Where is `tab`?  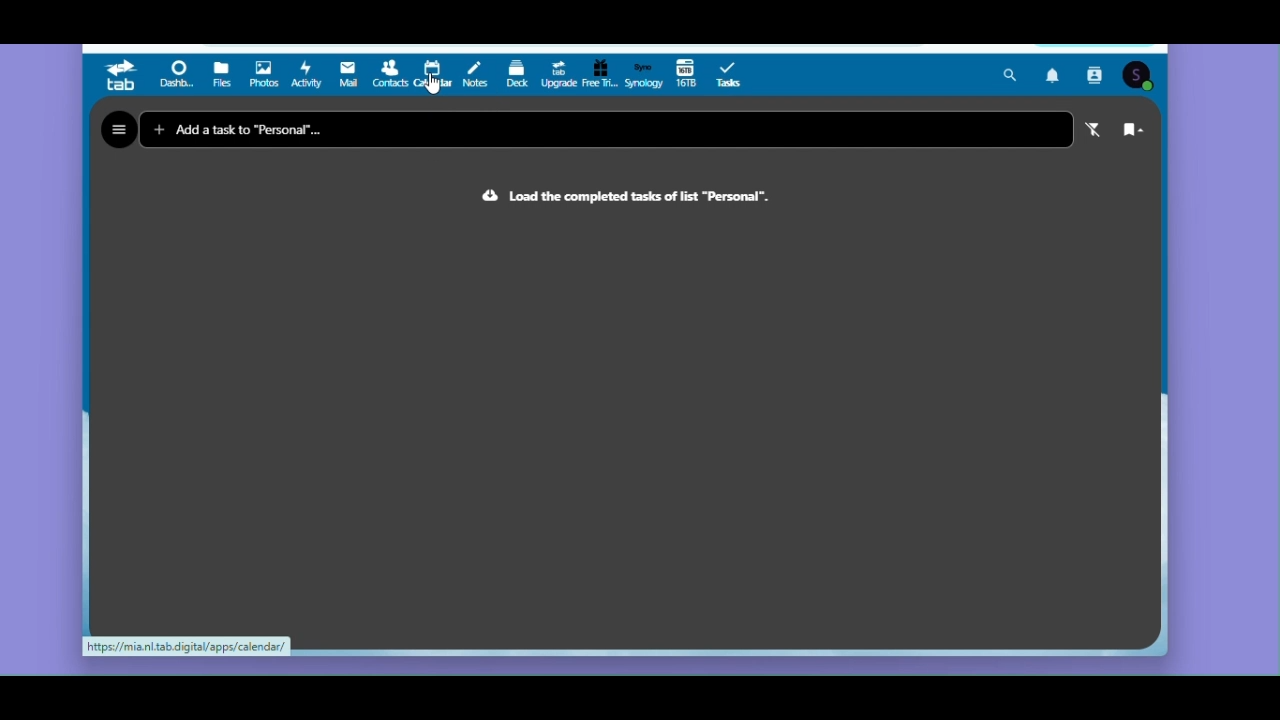 tab is located at coordinates (122, 76).